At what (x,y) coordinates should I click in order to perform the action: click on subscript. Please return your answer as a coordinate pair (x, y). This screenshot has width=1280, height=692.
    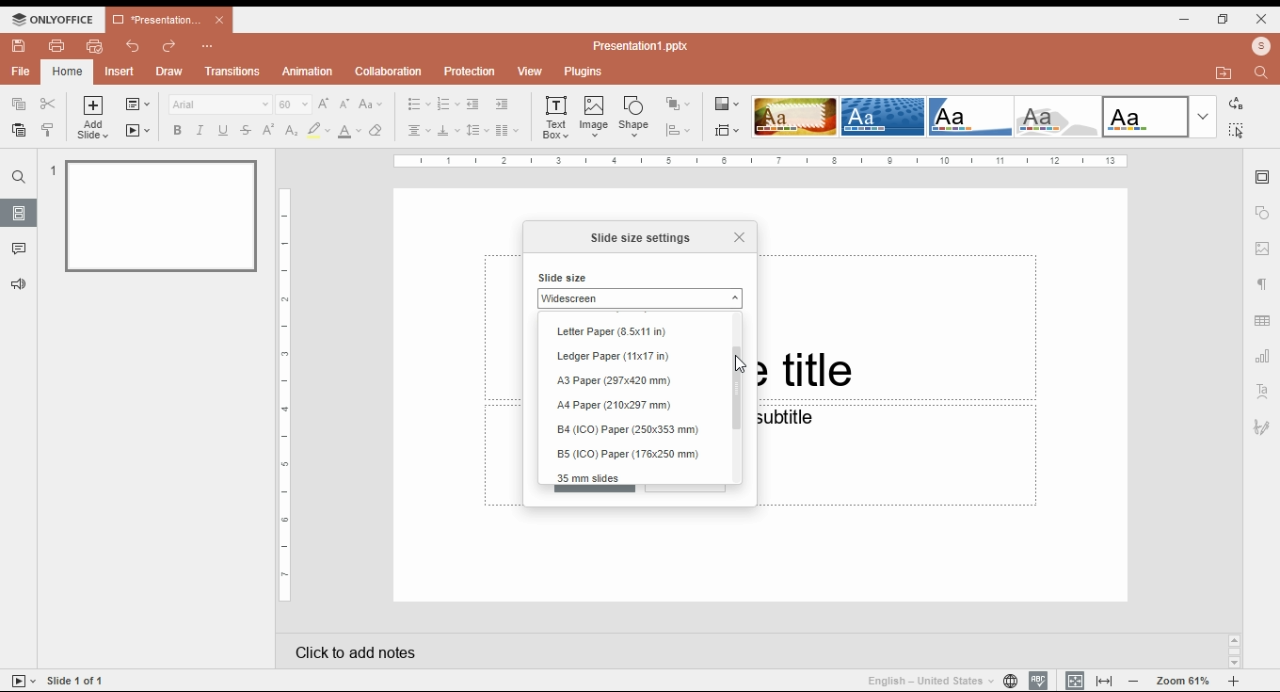
    Looking at the image, I should click on (289, 130).